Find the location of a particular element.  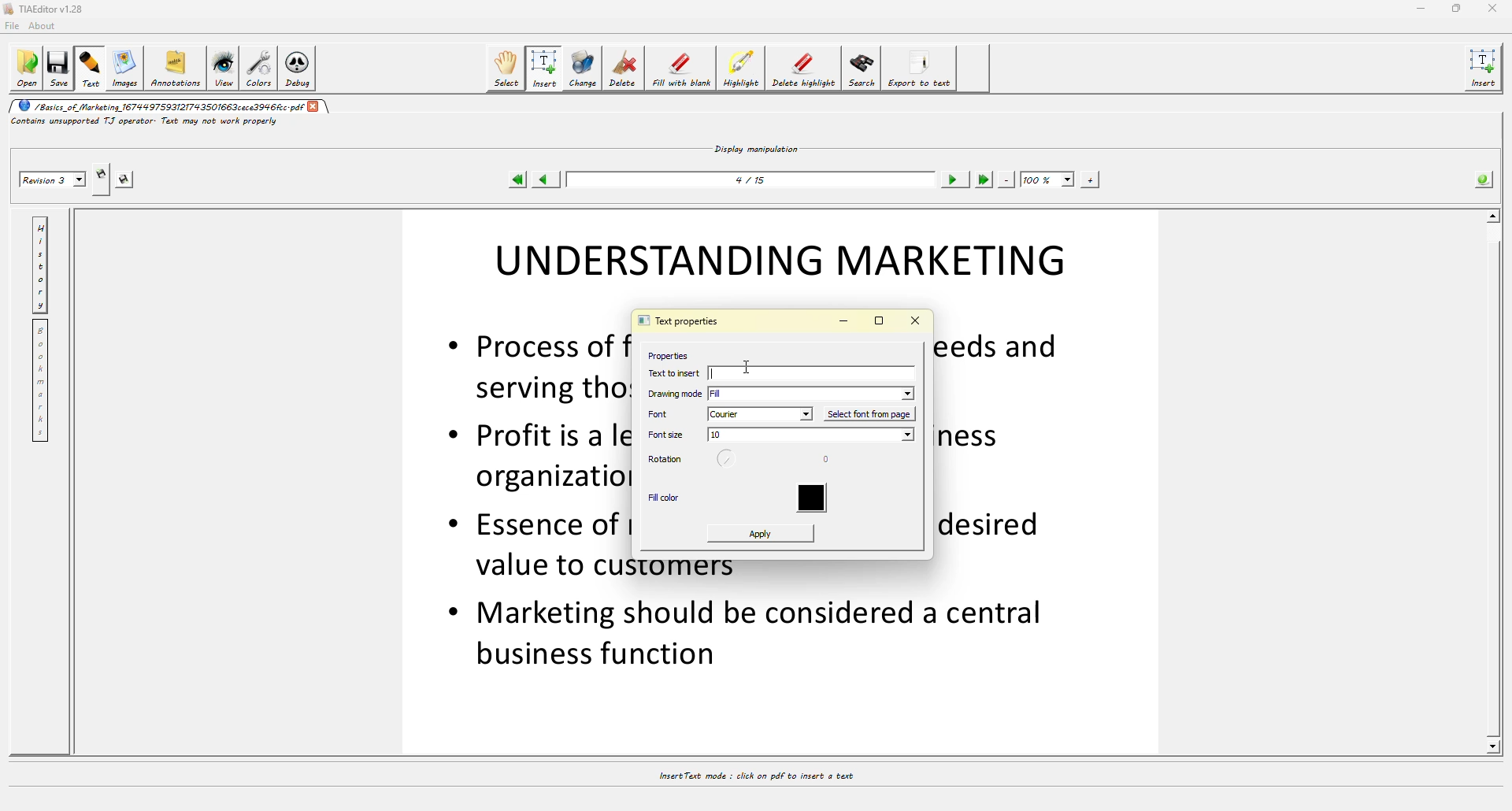

search is located at coordinates (862, 70).